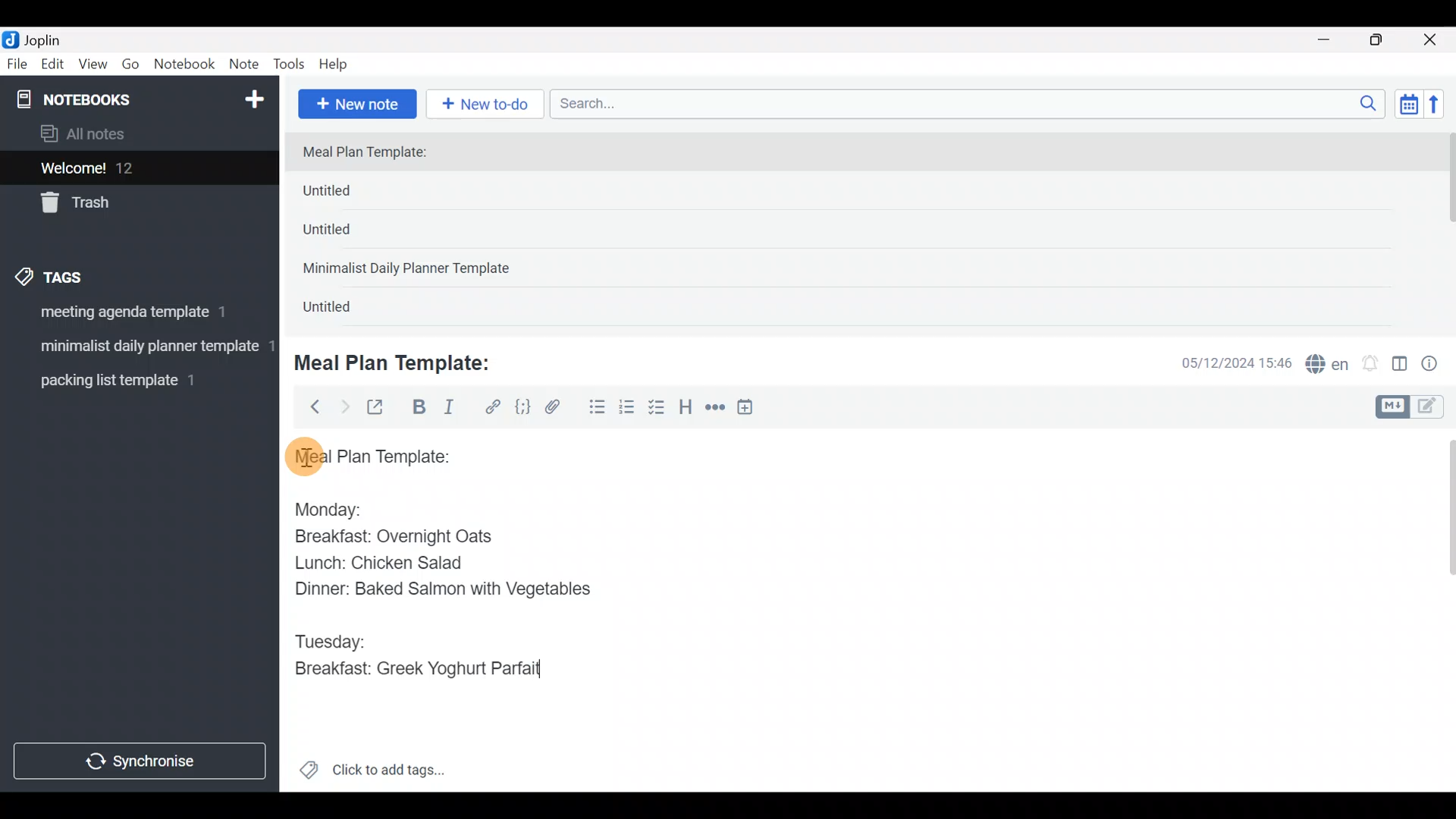 This screenshot has height=819, width=1456. Describe the element at coordinates (135, 316) in the screenshot. I see `Tag 1` at that location.